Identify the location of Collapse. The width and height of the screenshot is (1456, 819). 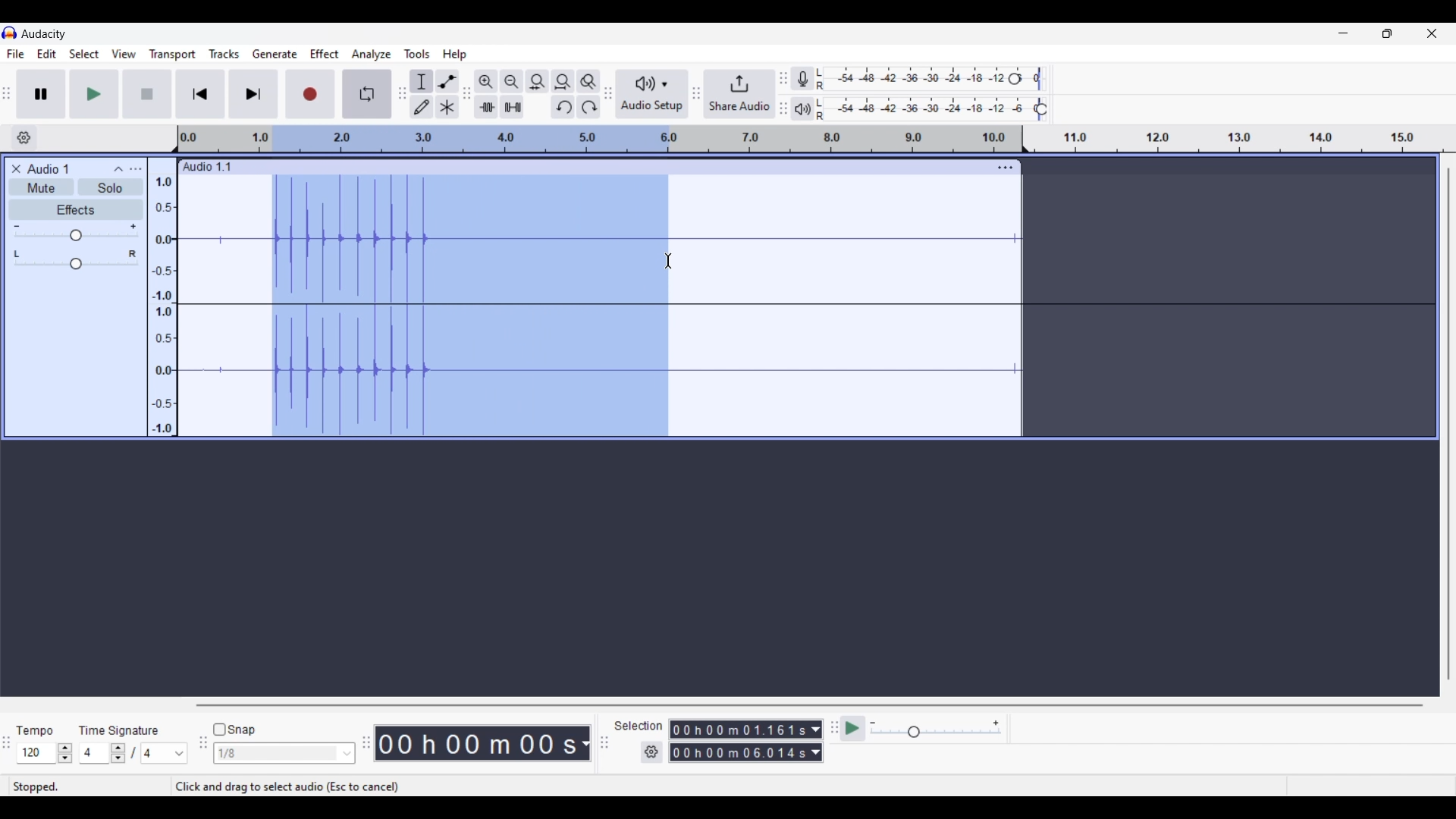
(118, 169).